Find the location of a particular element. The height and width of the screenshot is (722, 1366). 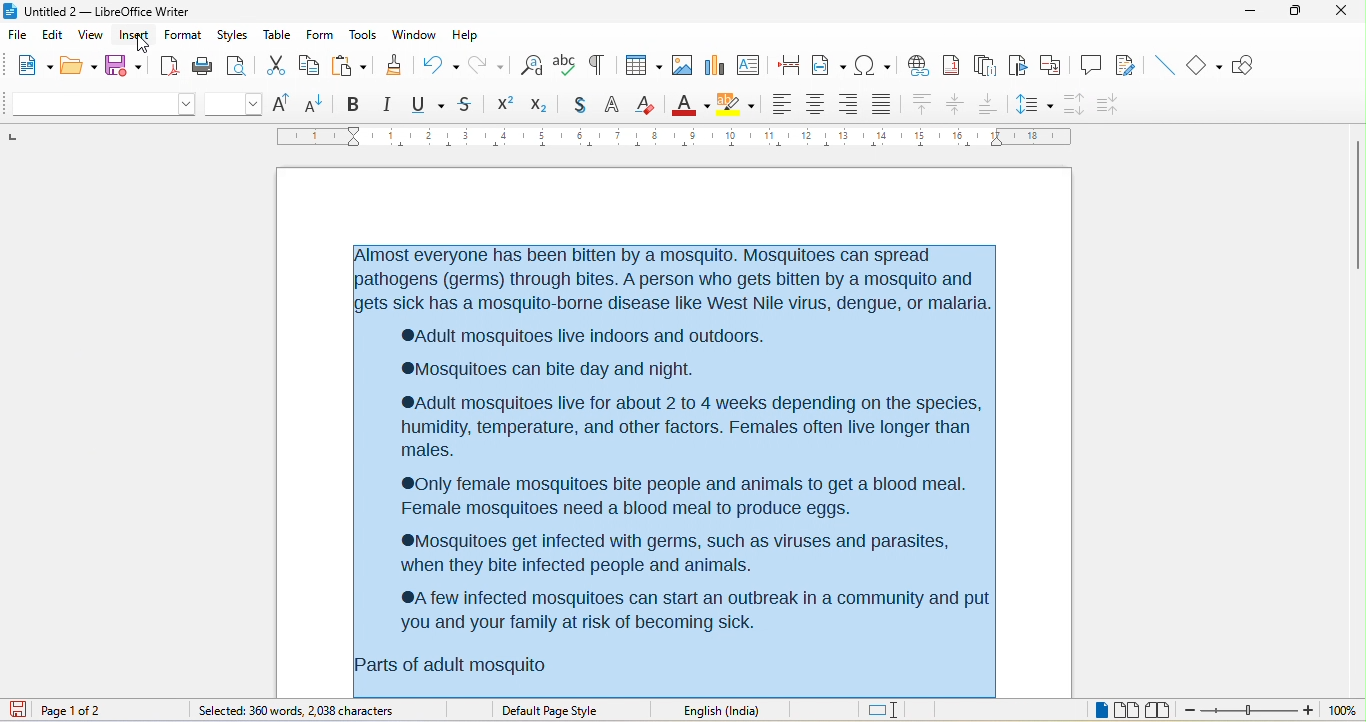

format is located at coordinates (182, 35).